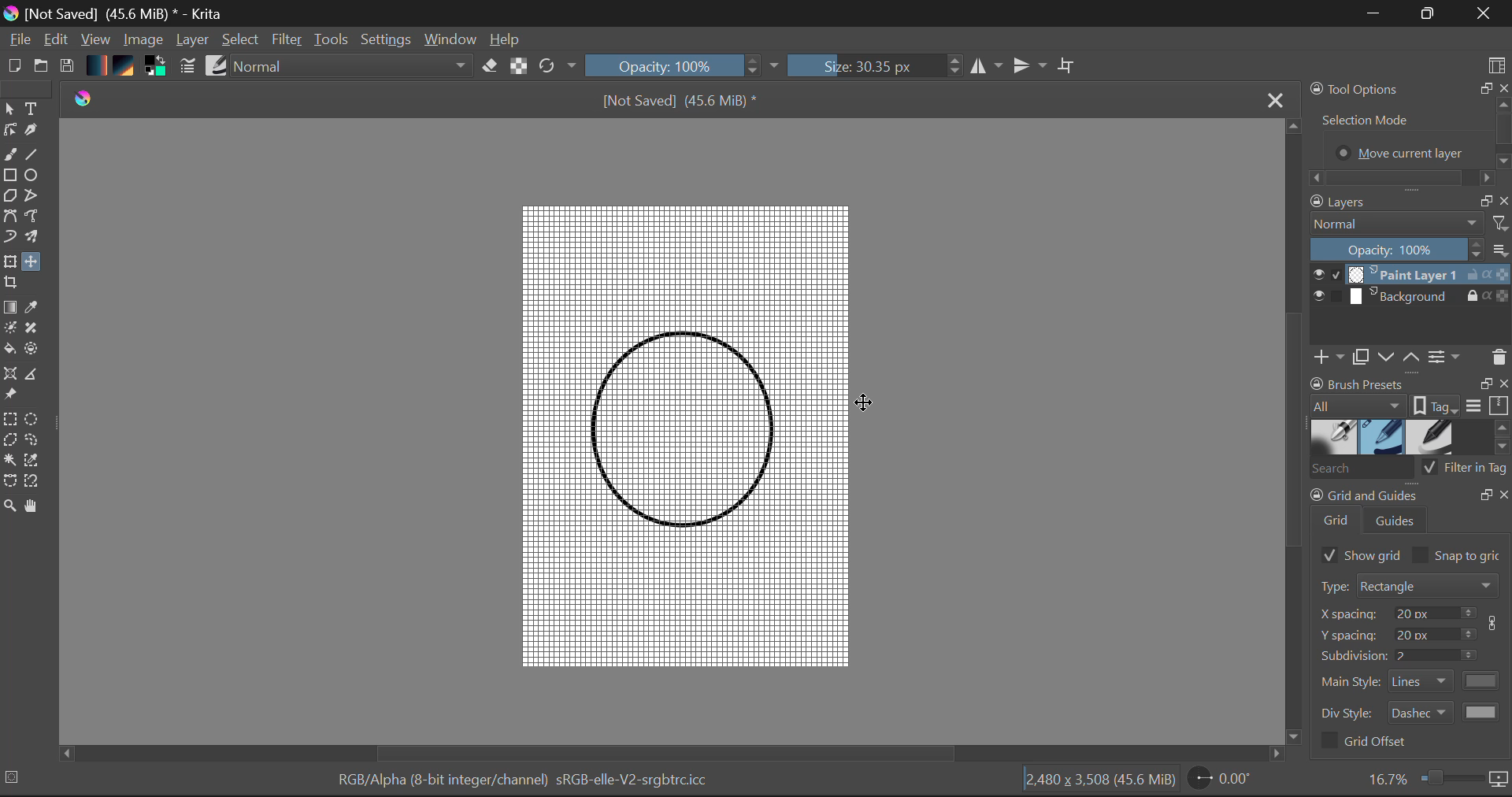  What do you see at coordinates (32, 108) in the screenshot?
I see `Text` at bounding box center [32, 108].